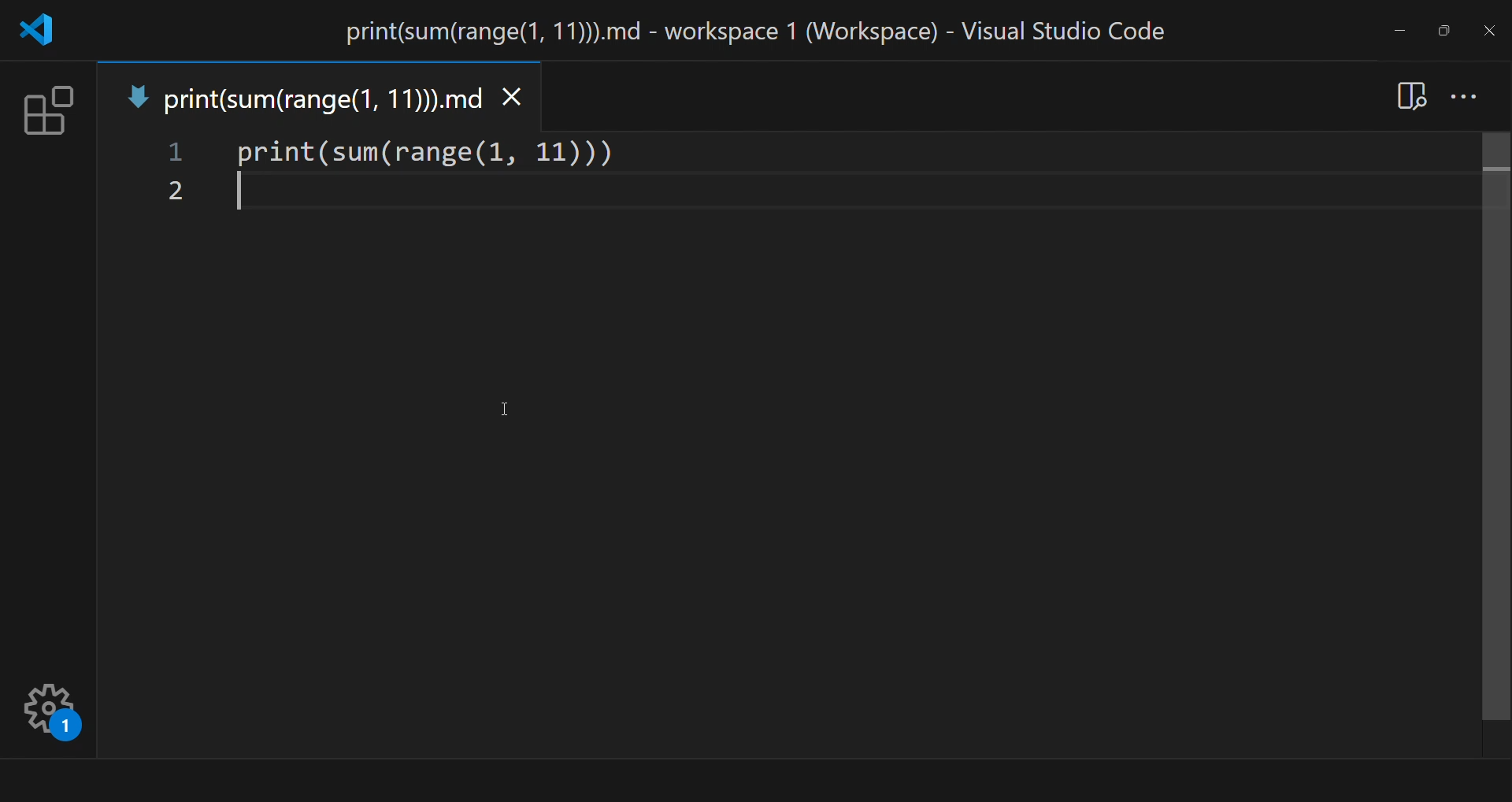 The width and height of the screenshot is (1512, 802). Describe the element at coordinates (1489, 35) in the screenshot. I see `close` at that location.